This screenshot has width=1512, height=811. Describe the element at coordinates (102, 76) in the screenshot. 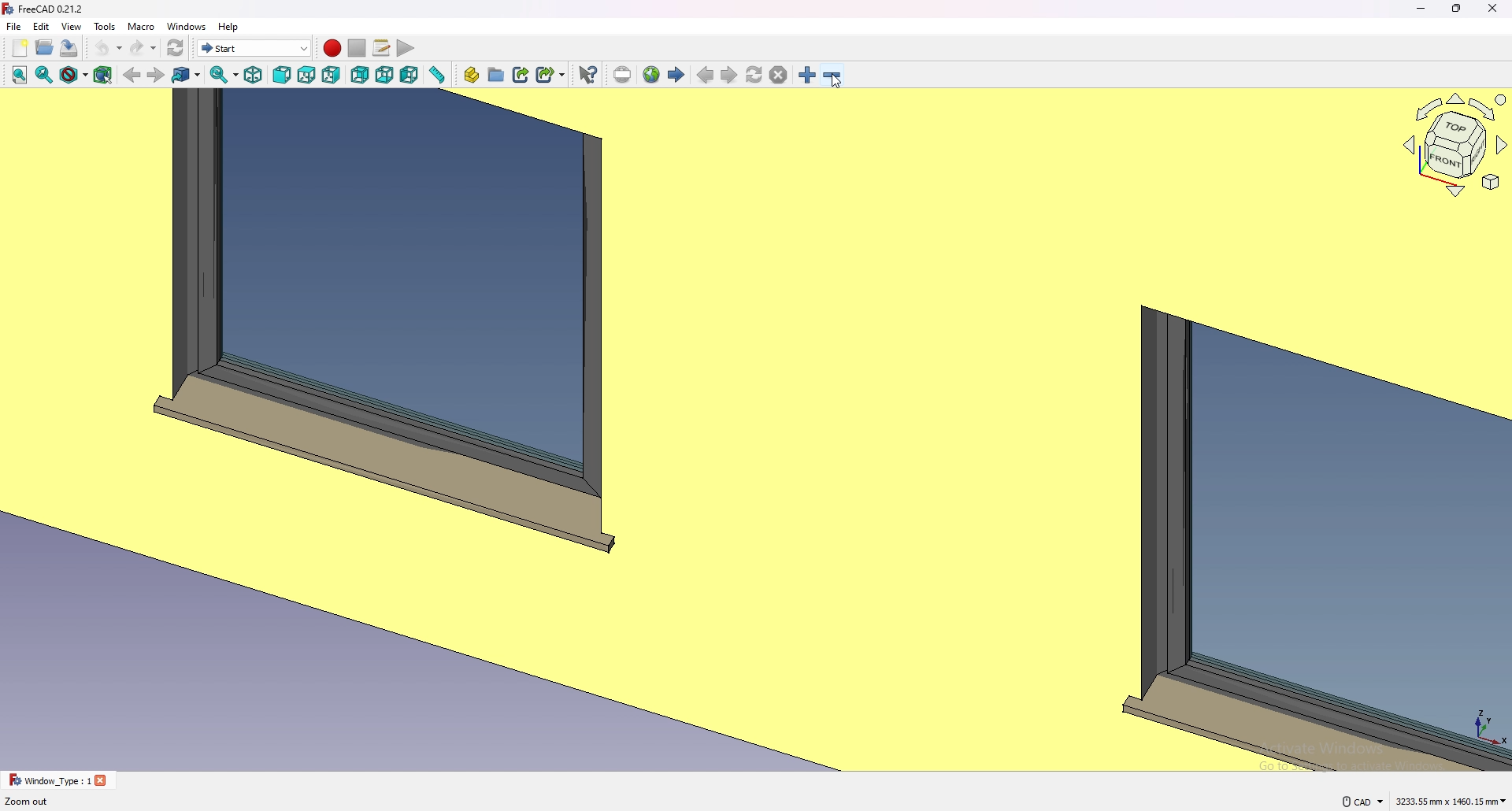

I see `bounding box` at that location.